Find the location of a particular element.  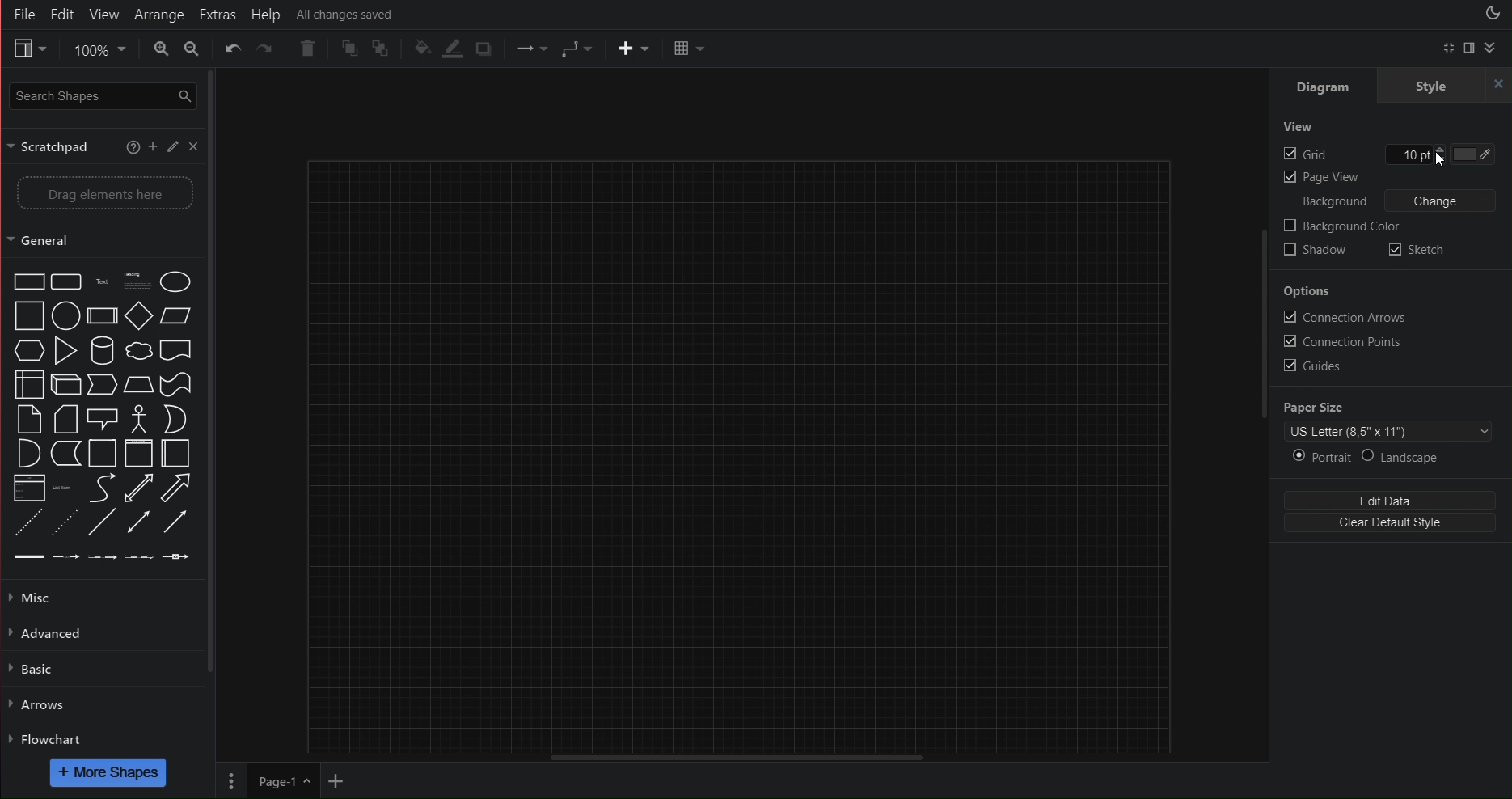

cloud is located at coordinates (137, 349).